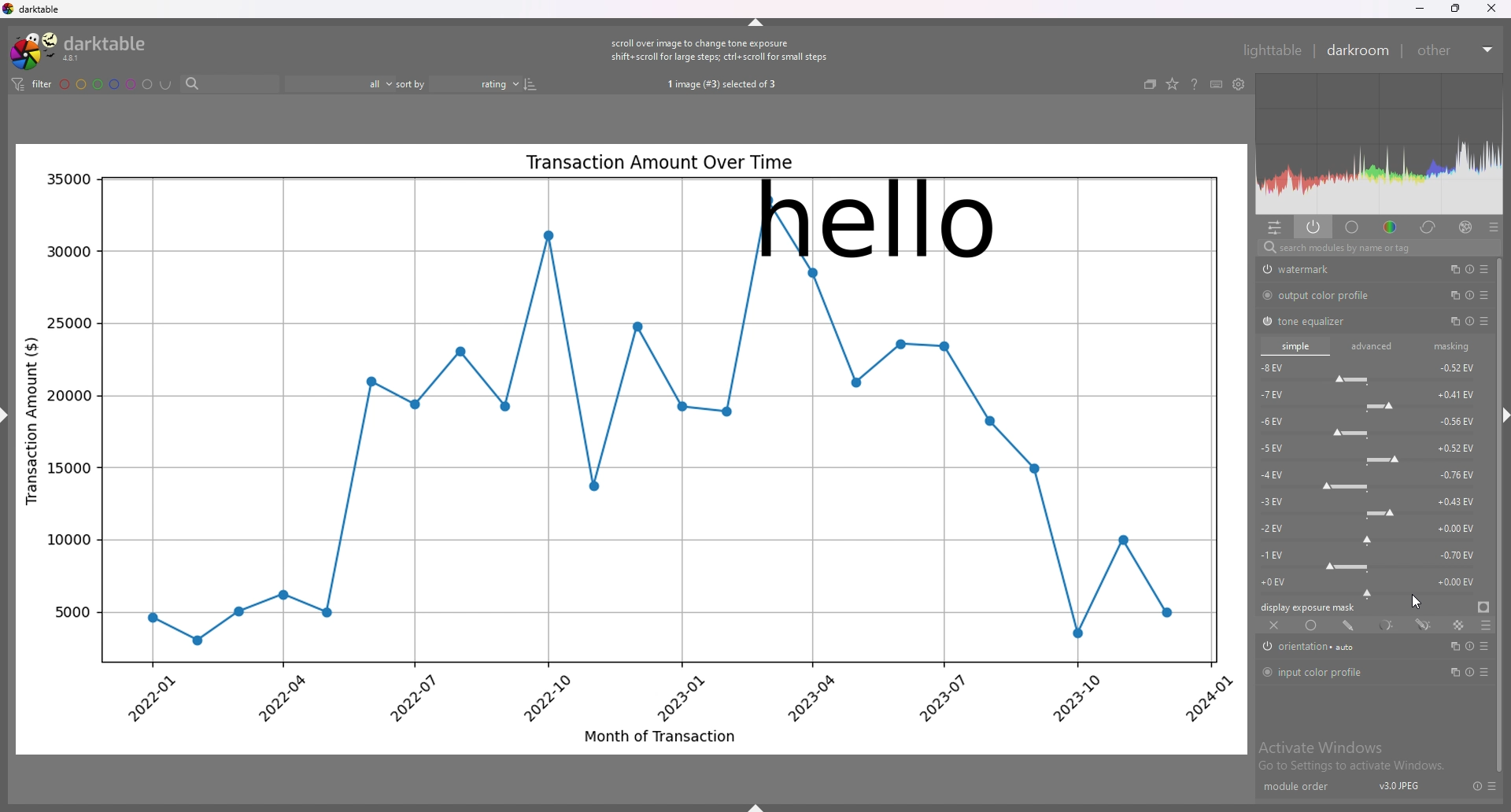 This screenshot has height=812, width=1511. What do you see at coordinates (1150, 84) in the screenshot?
I see `collapse grouped images` at bounding box center [1150, 84].